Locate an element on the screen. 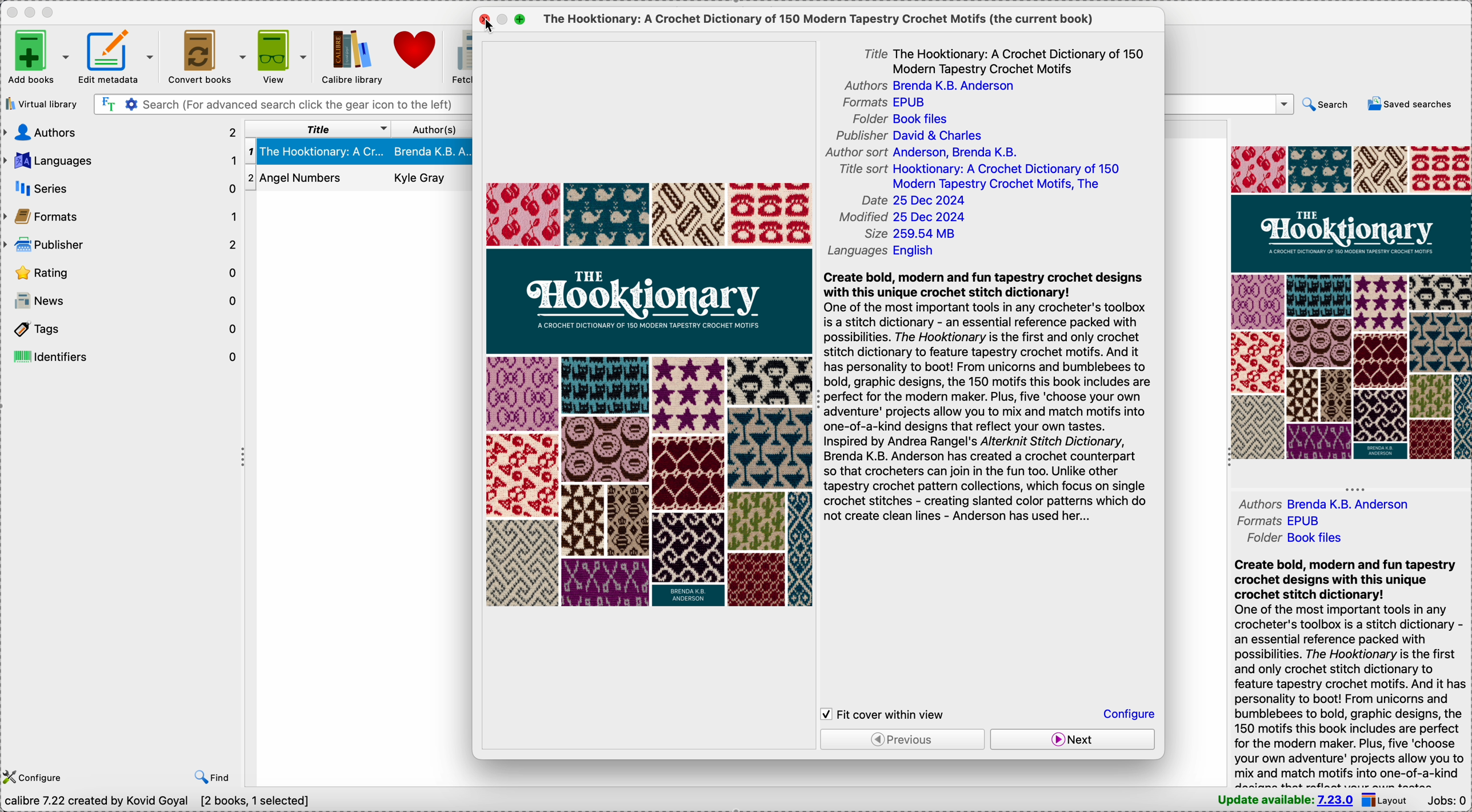 The height and width of the screenshot is (812, 1472). identifiers is located at coordinates (125, 355).